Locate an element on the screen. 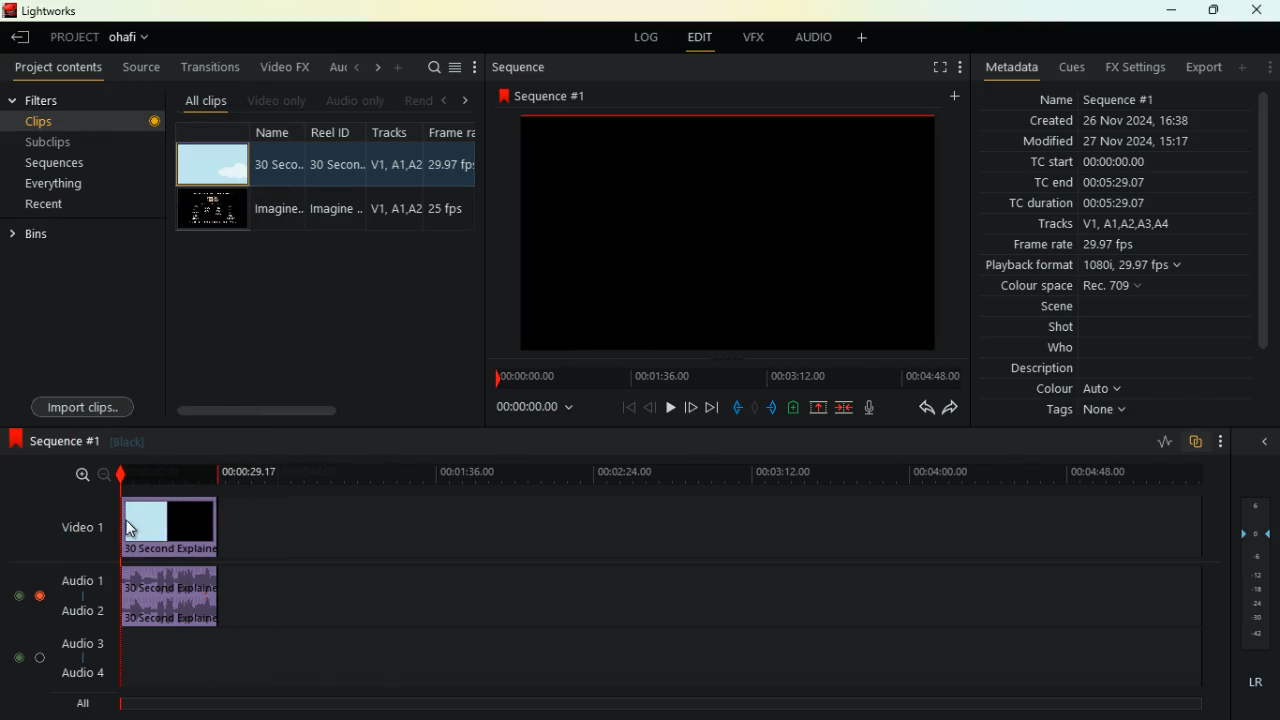 This screenshot has height=720, width=1280. more is located at coordinates (477, 68).